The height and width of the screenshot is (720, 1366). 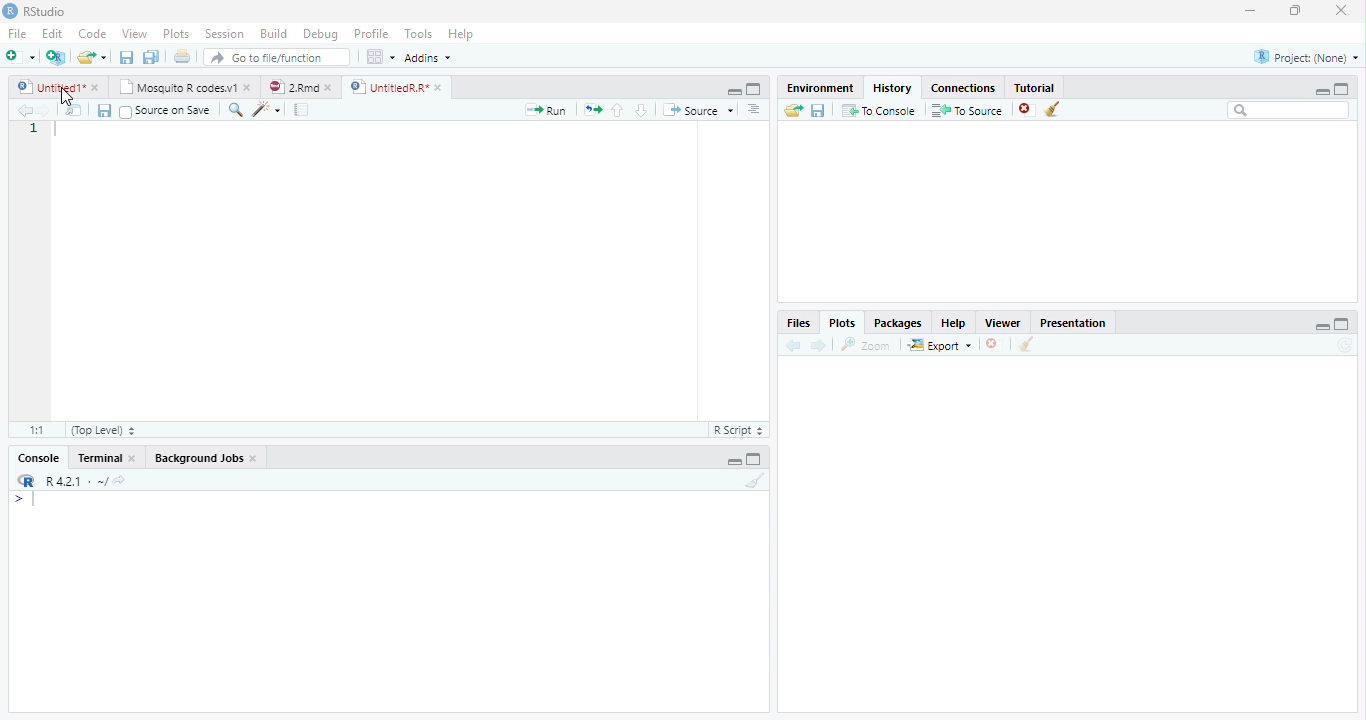 What do you see at coordinates (56, 58) in the screenshot?
I see `Create a Project` at bounding box center [56, 58].